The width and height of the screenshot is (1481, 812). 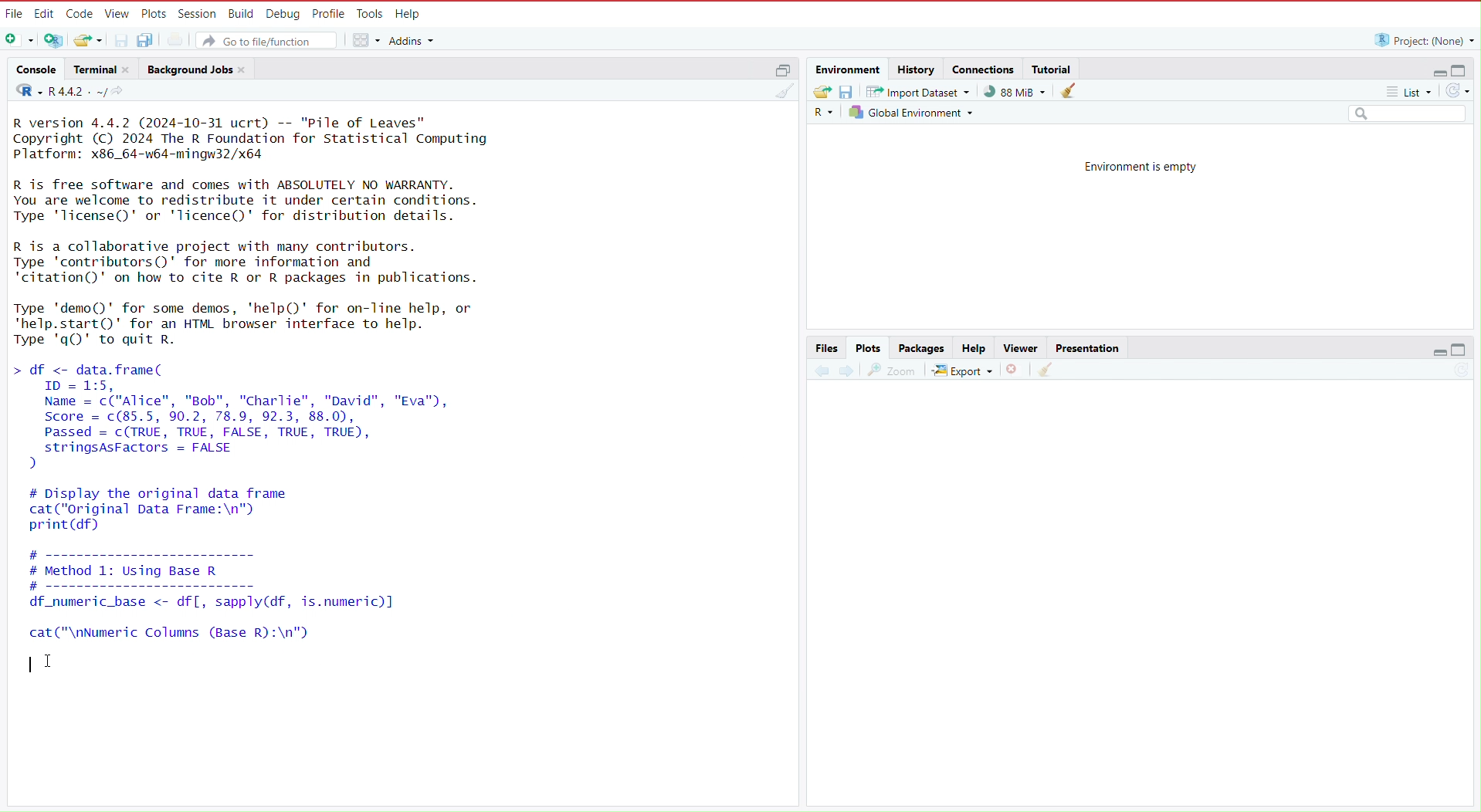 I want to click on view the current working directory, so click(x=121, y=91).